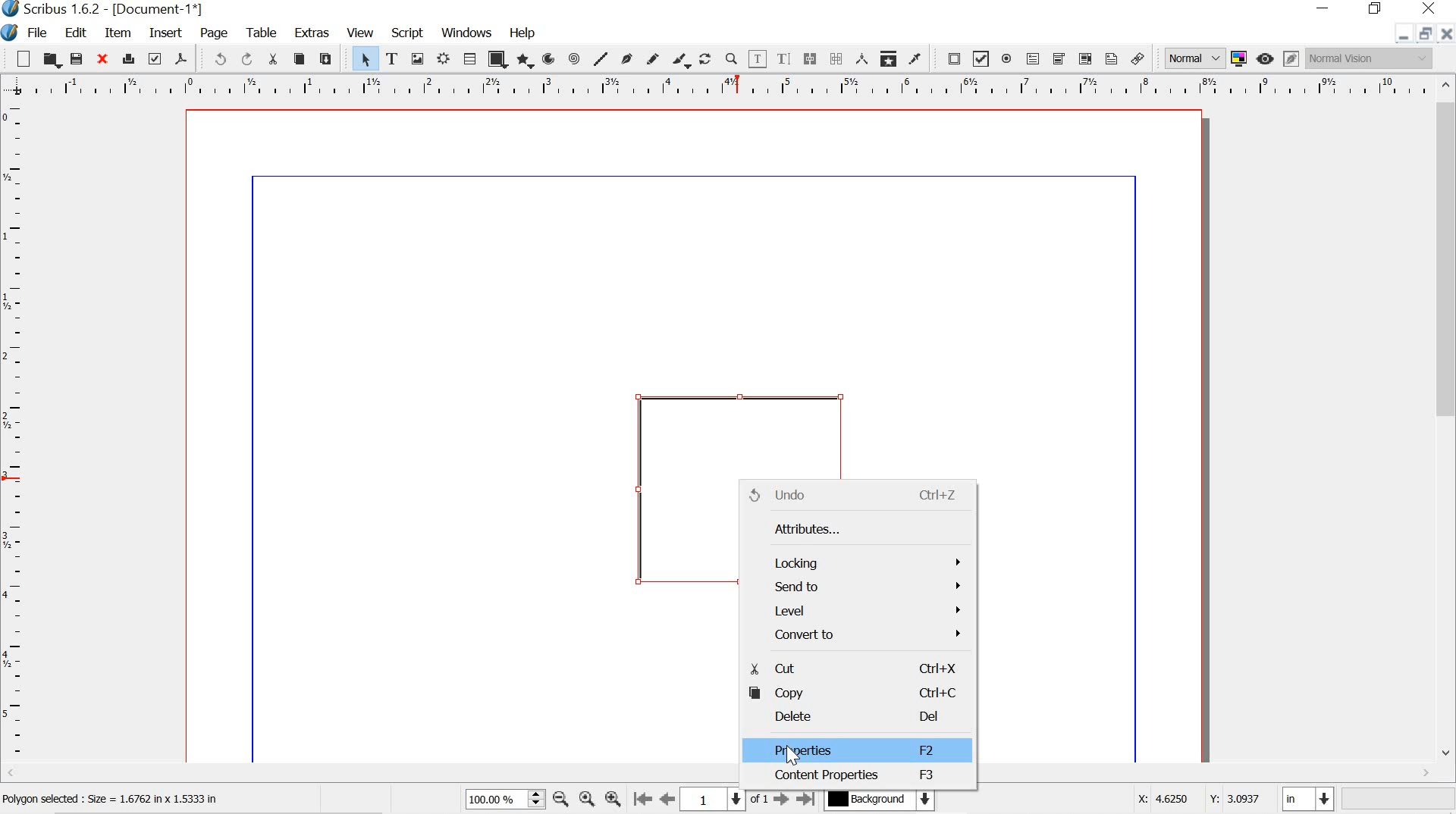 This screenshot has height=814, width=1456. What do you see at coordinates (858, 637) in the screenshot?
I see `convert to` at bounding box center [858, 637].